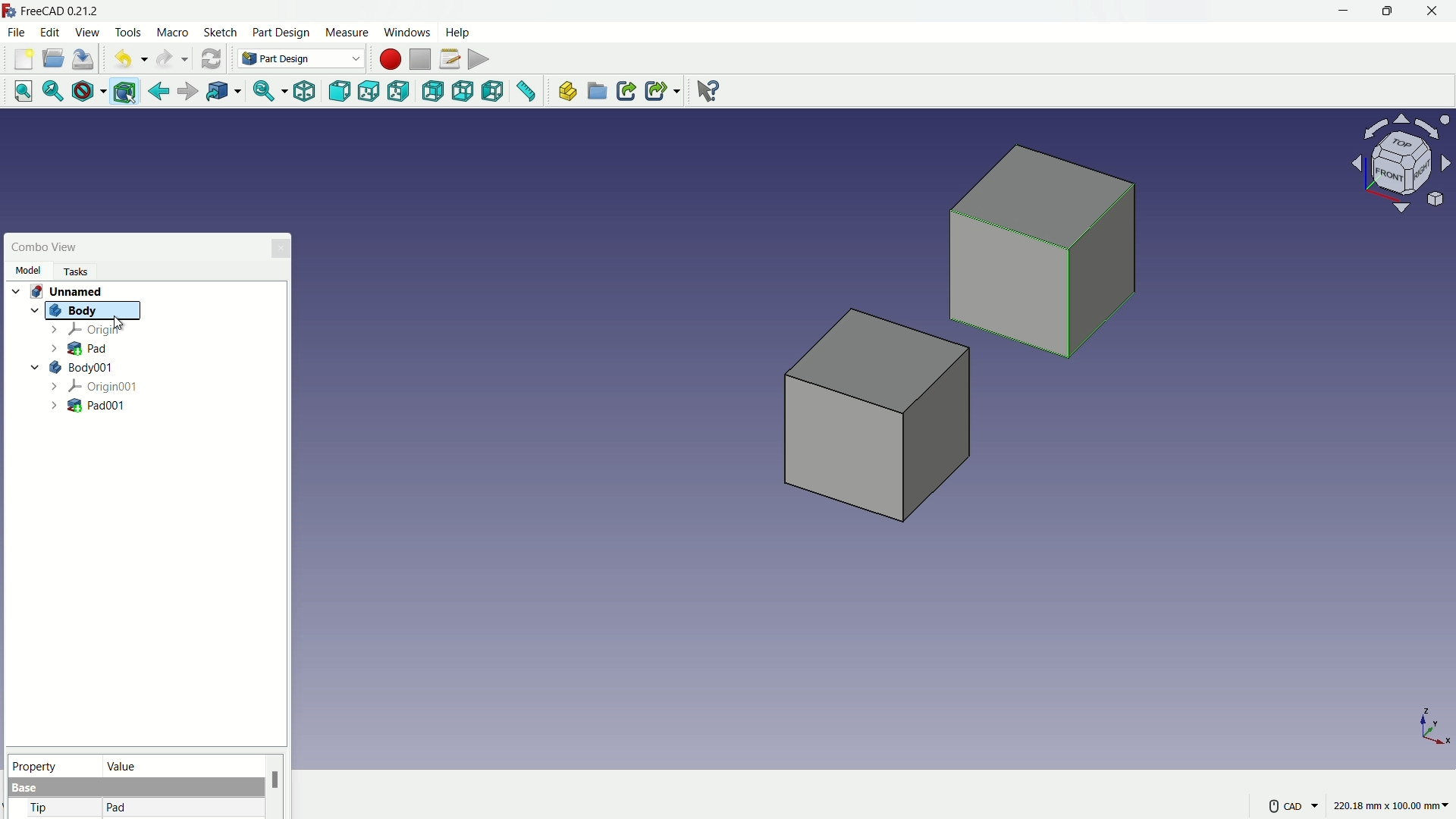 This screenshot has width=1456, height=819. What do you see at coordinates (186, 93) in the screenshot?
I see `forward` at bounding box center [186, 93].